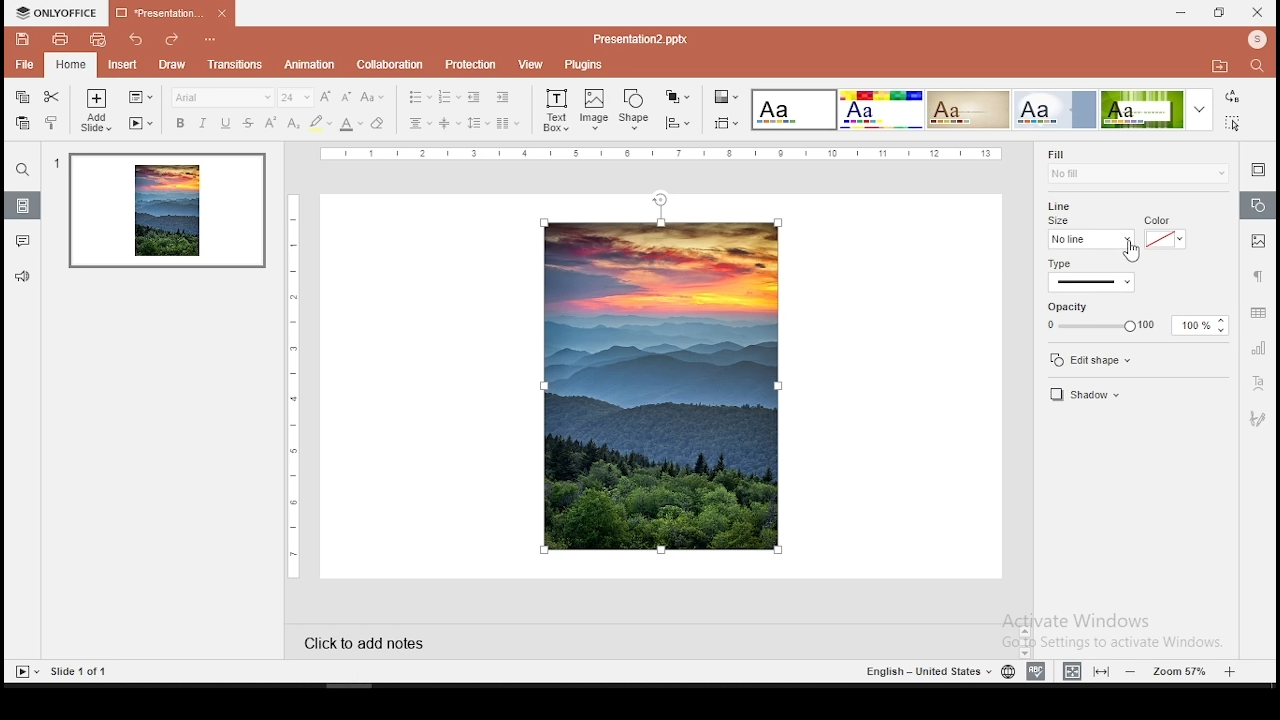  What do you see at coordinates (139, 125) in the screenshot?
I see `start slideshow` at bounding box center [139, 125].